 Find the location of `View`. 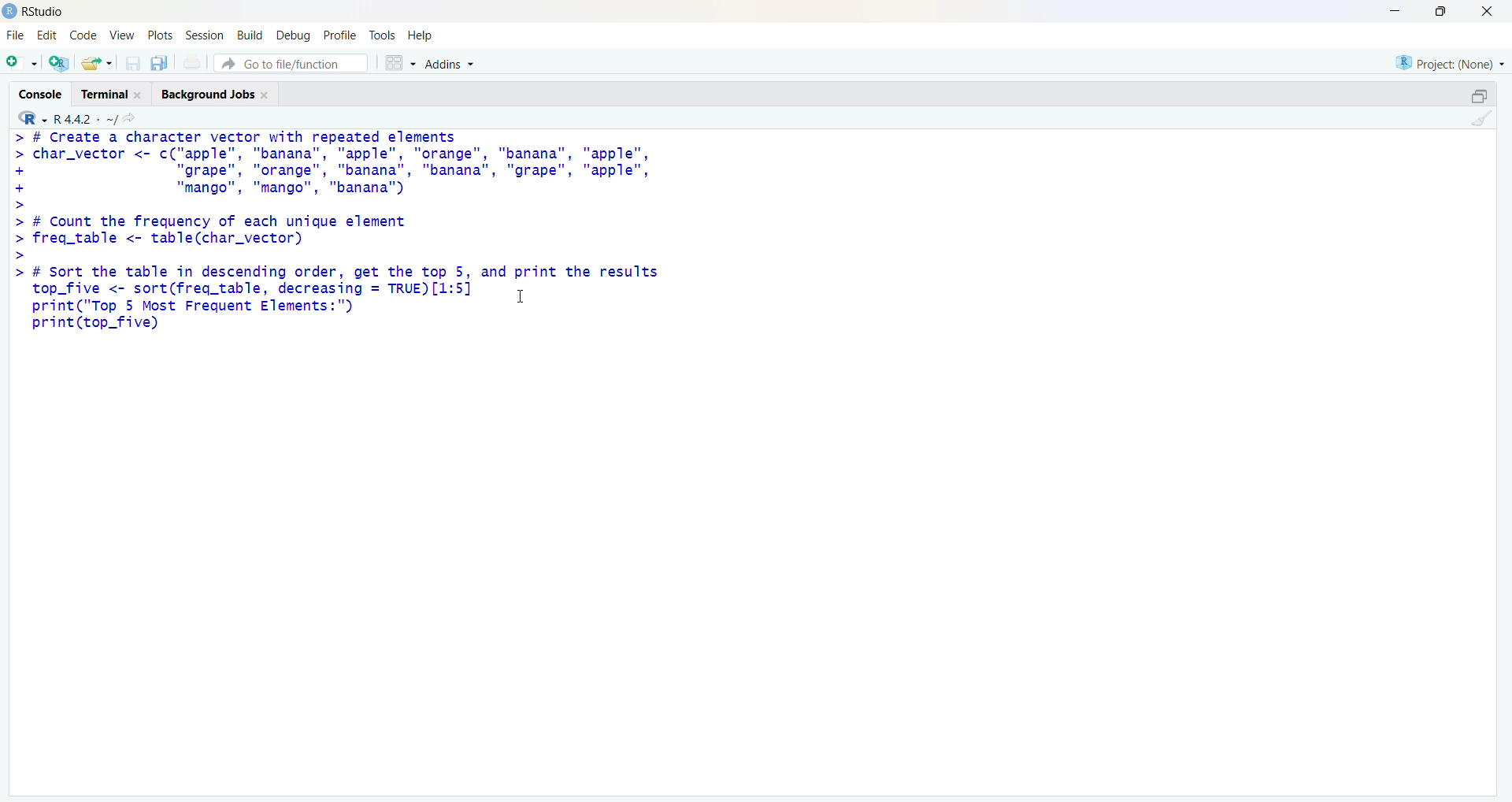

View is located at coordinates (124, 35).